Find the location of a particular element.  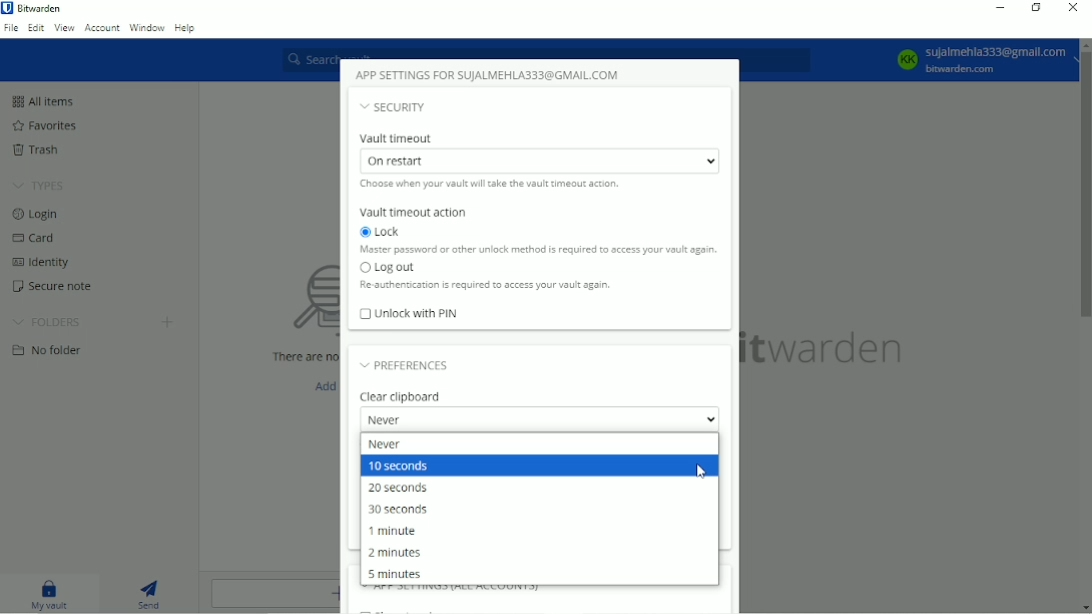

5 minutes is located at coordinates (399, 575).